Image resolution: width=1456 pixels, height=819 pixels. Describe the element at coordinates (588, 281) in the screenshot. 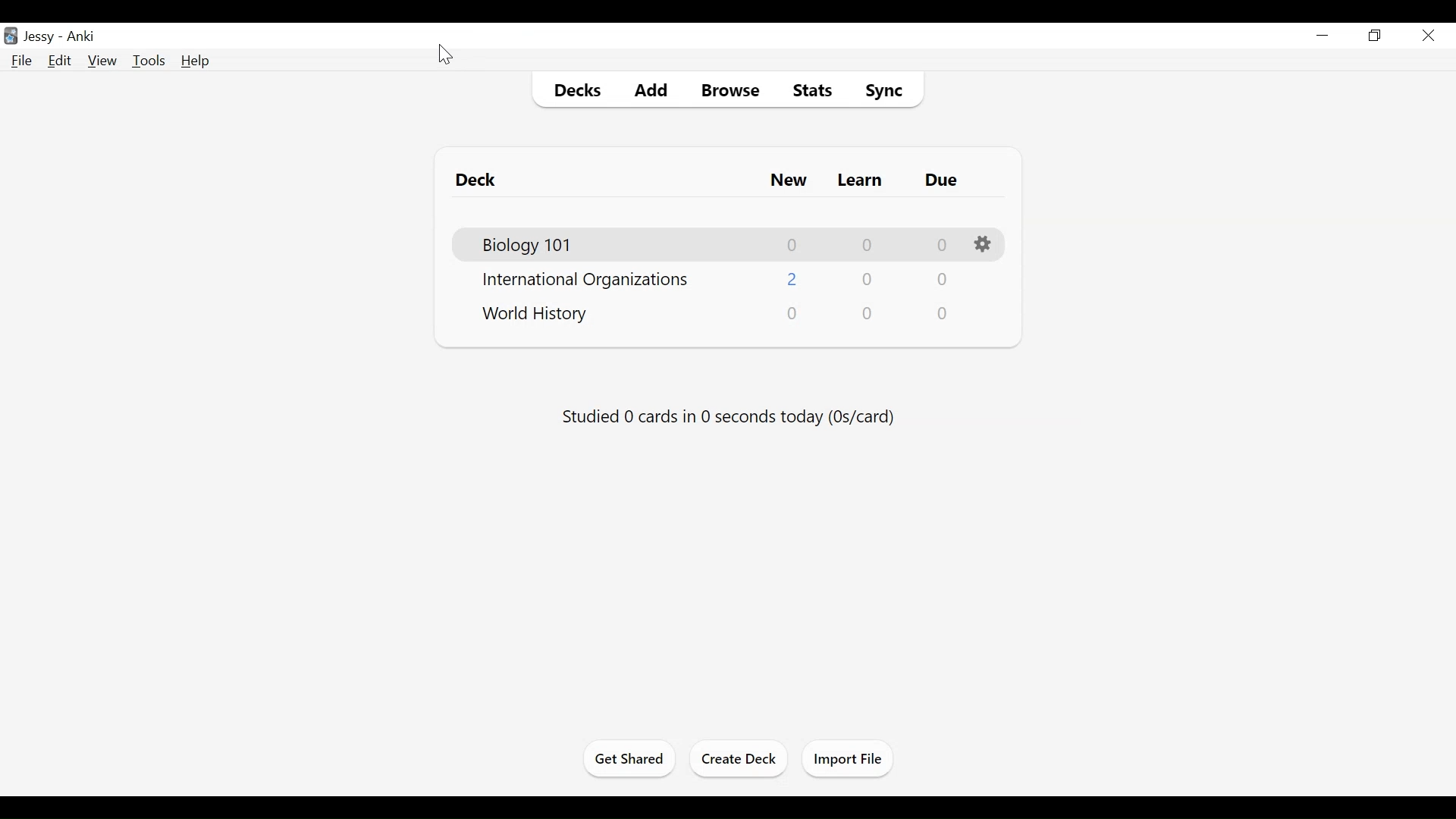

I see `International Organizations` at that location.